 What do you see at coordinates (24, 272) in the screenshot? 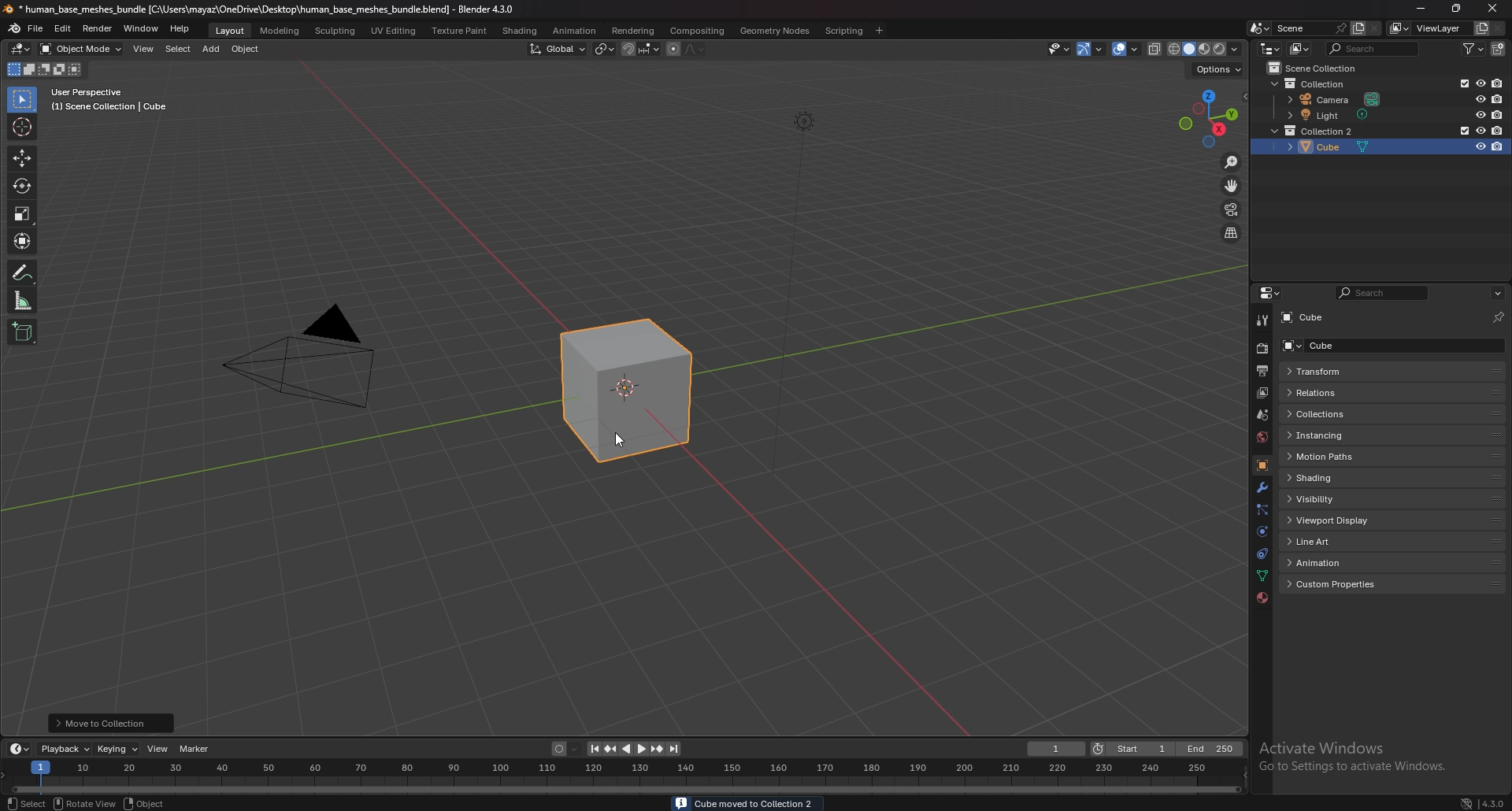
I see `annotation` at bounding box center [24, 272].